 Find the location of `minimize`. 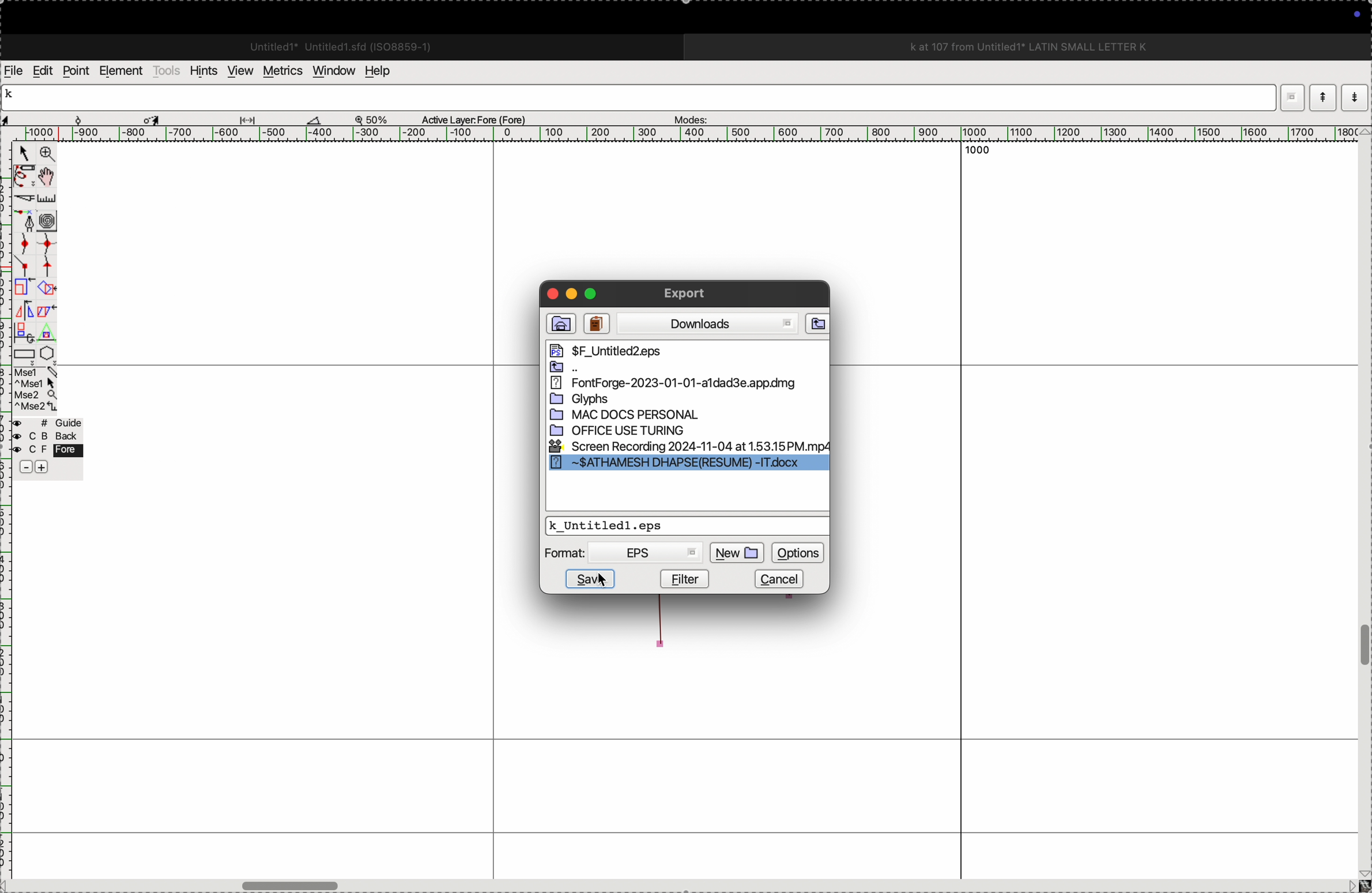

minimize is located at coordinates (571, 296).